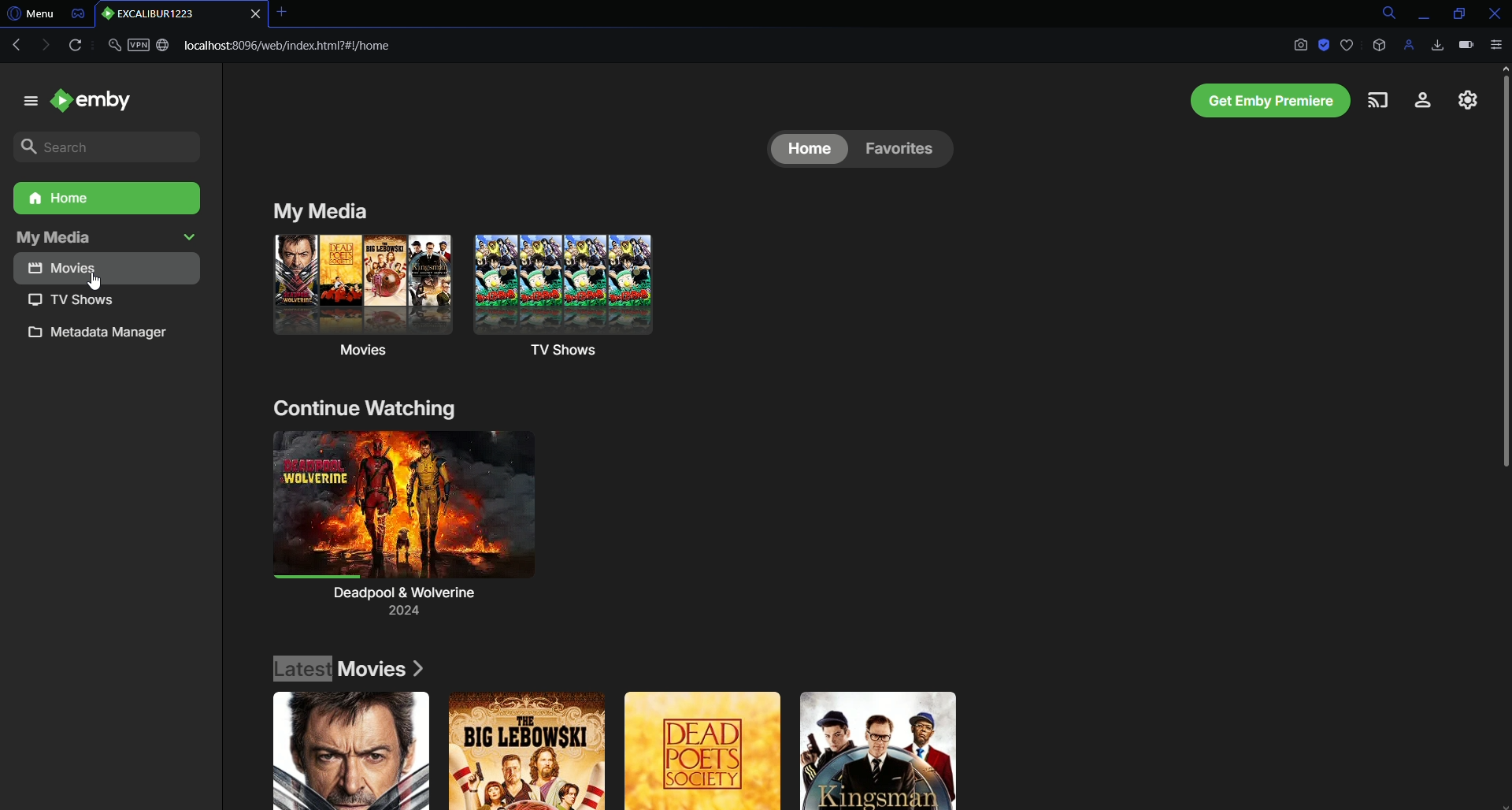 The image size is (1512, 810). I want to click on Options, so click(1499, 47).